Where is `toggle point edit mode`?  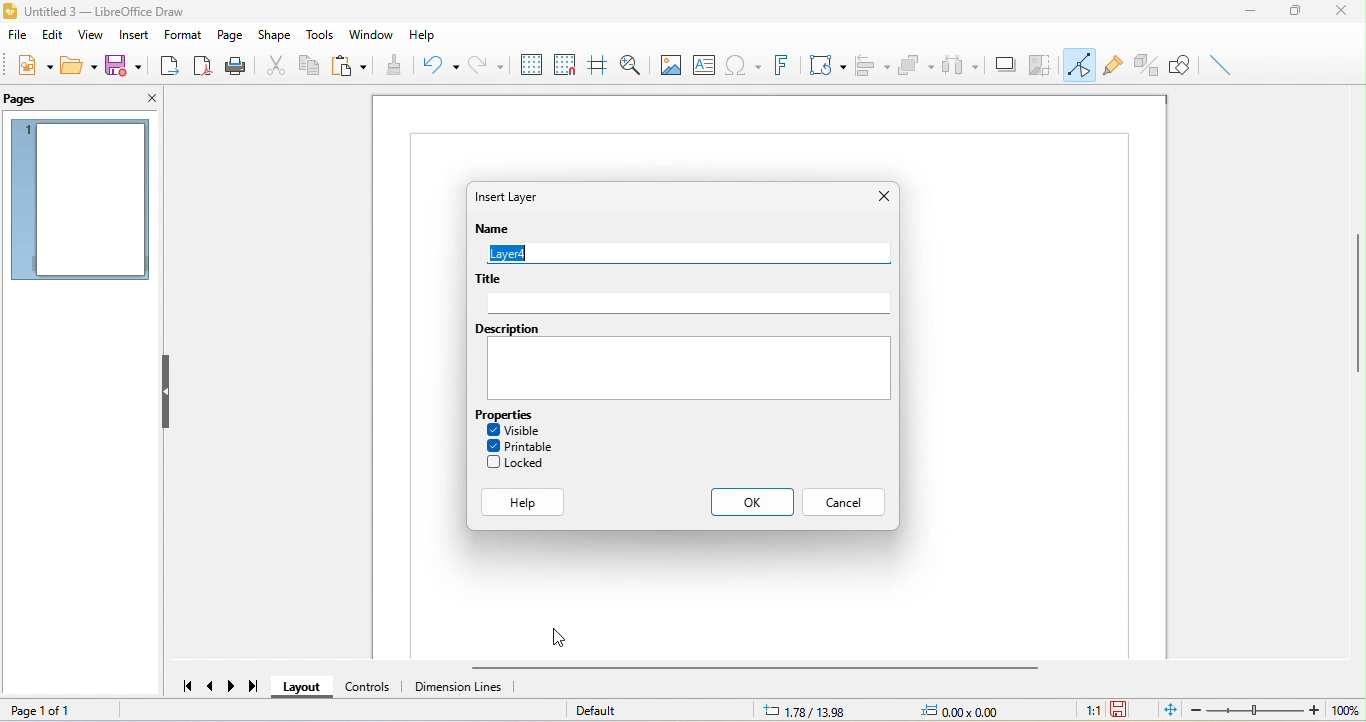 toggle point edit mode is located at coordinates (1081, 64).